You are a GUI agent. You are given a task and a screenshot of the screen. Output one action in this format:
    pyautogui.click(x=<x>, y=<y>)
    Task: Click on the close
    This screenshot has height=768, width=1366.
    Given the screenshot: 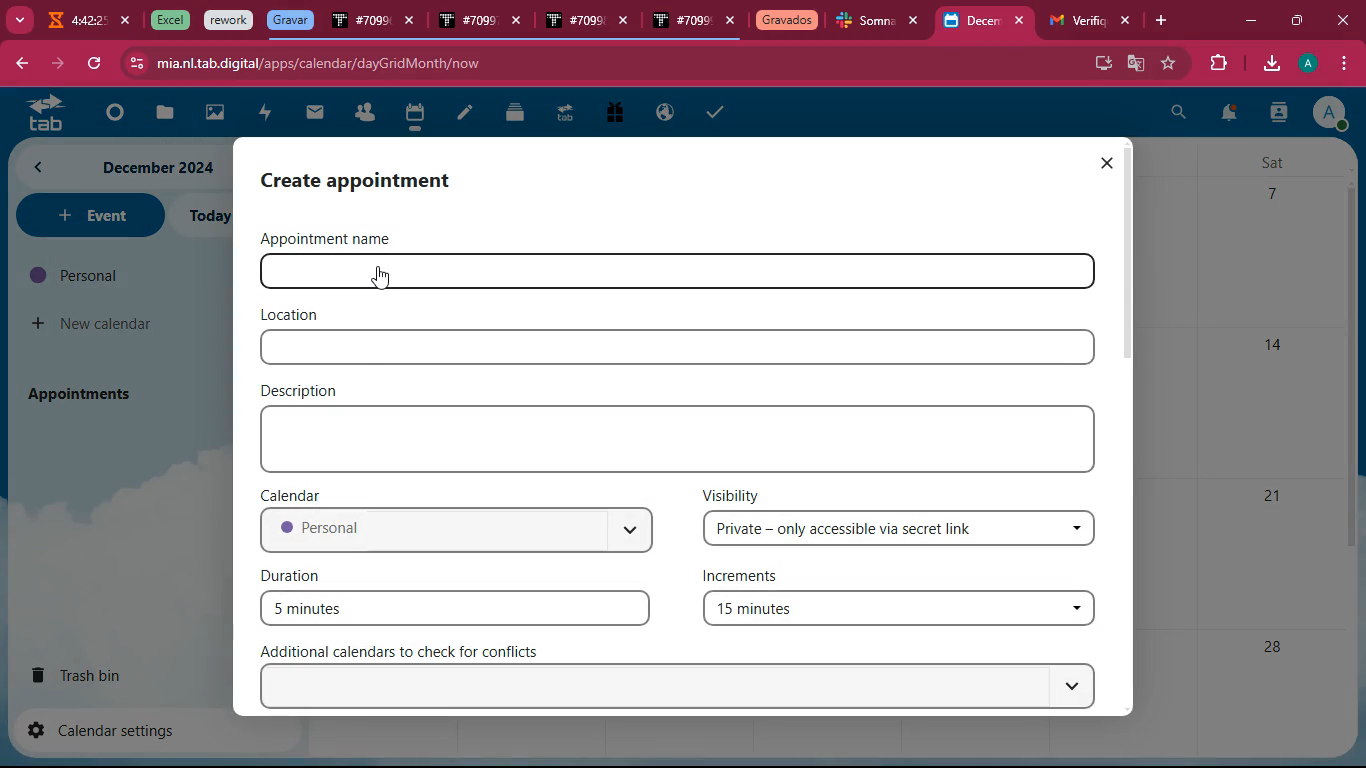 What is the action you would take?
    pyautogui.click(x=731, y=22)
    